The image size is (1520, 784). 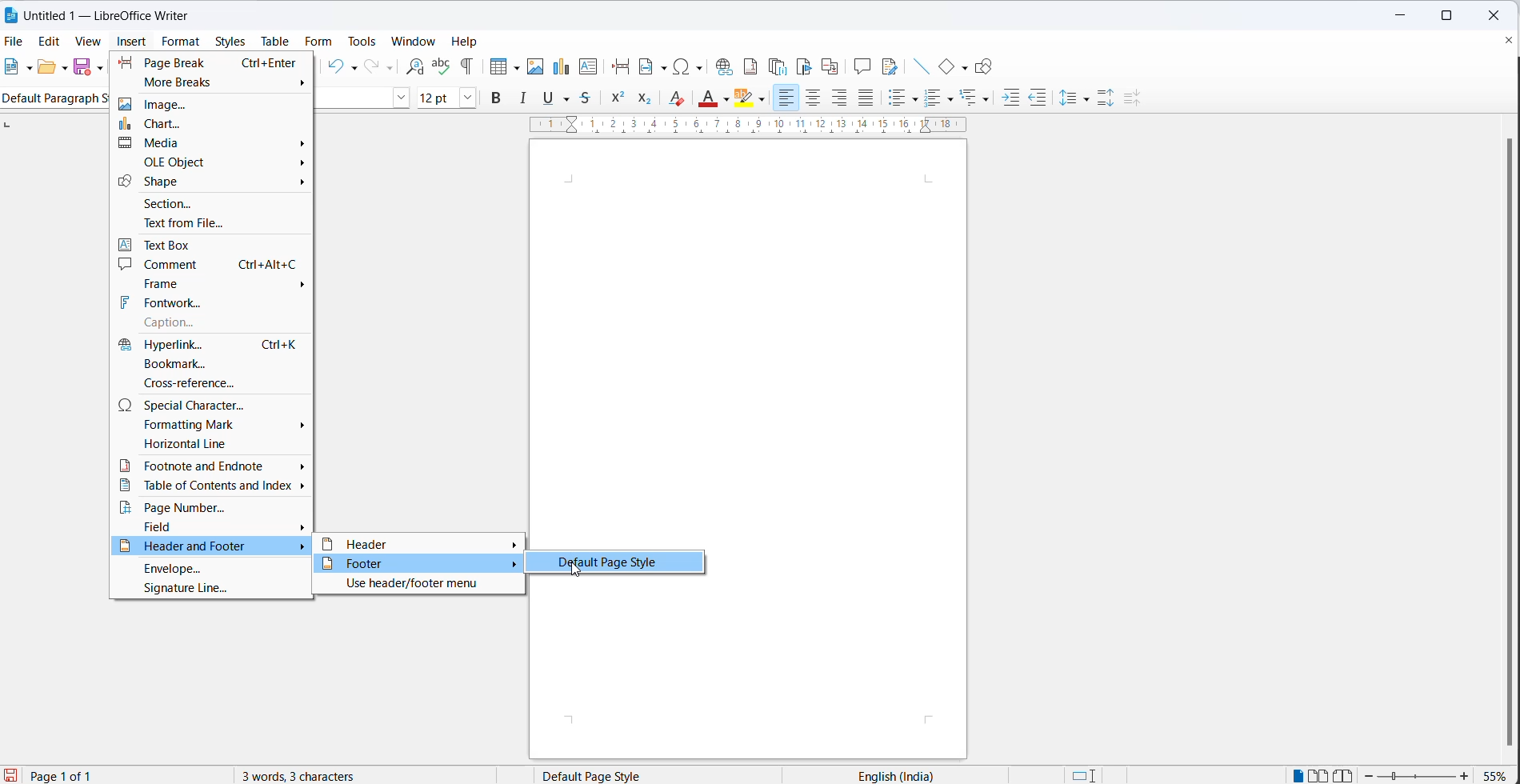 I want to click on increase paragraph space, so click(x=1106, y=96).